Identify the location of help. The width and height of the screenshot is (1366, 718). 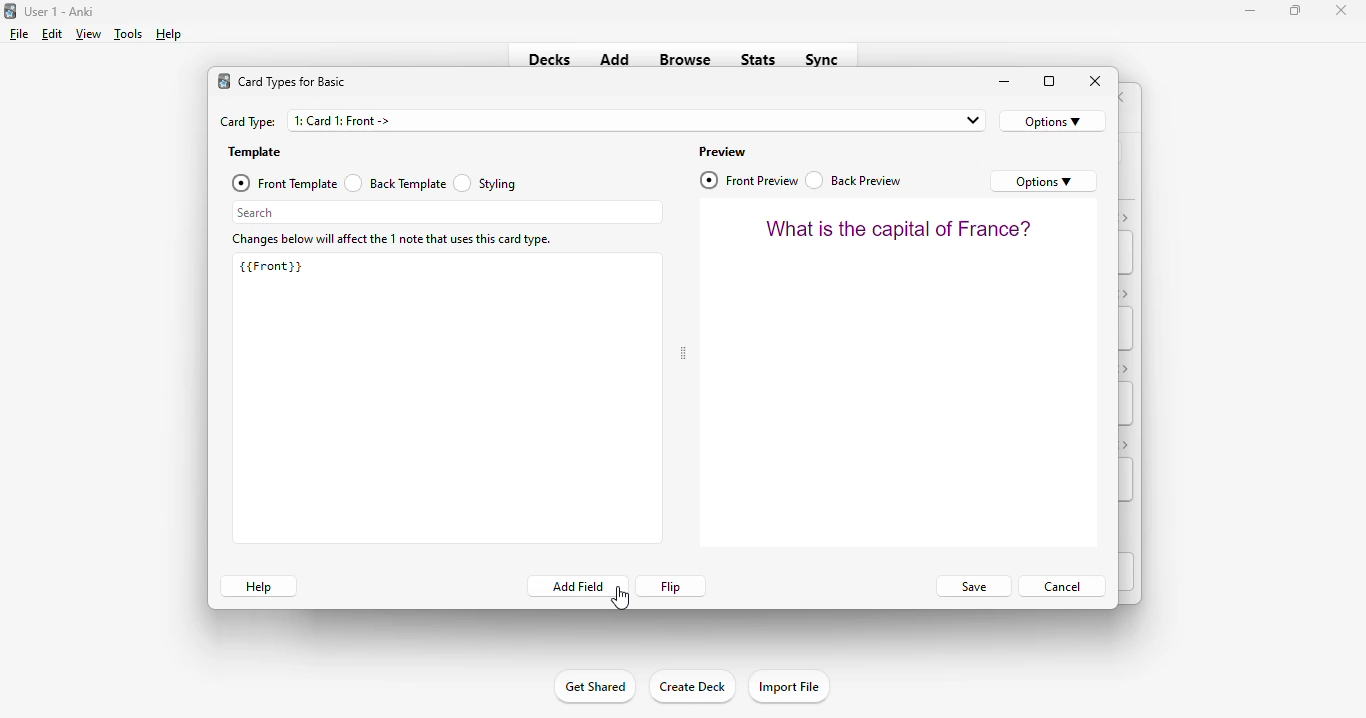
(167, 34).